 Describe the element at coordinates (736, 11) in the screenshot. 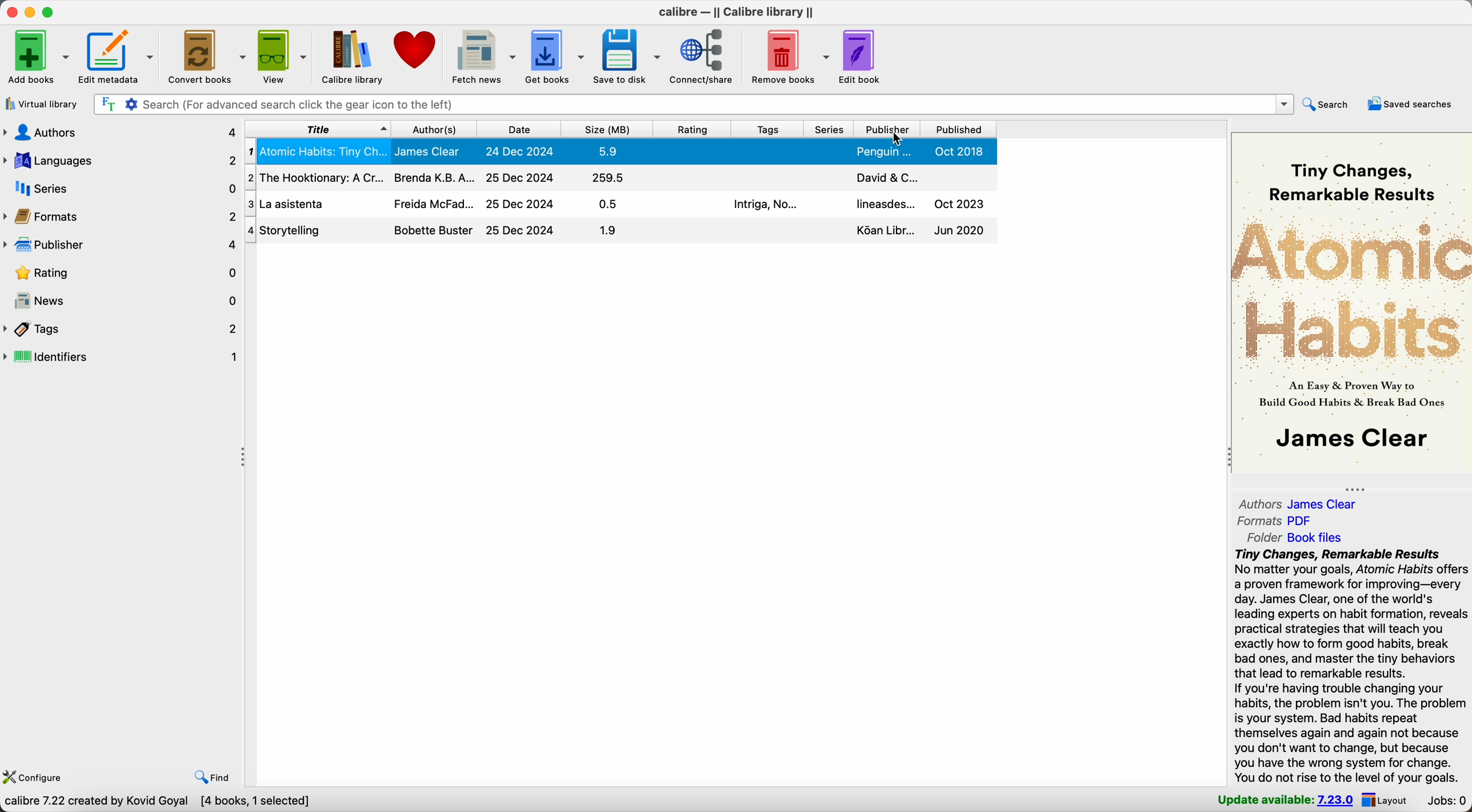

I see `Calibre - || calibre library ||` at that location.